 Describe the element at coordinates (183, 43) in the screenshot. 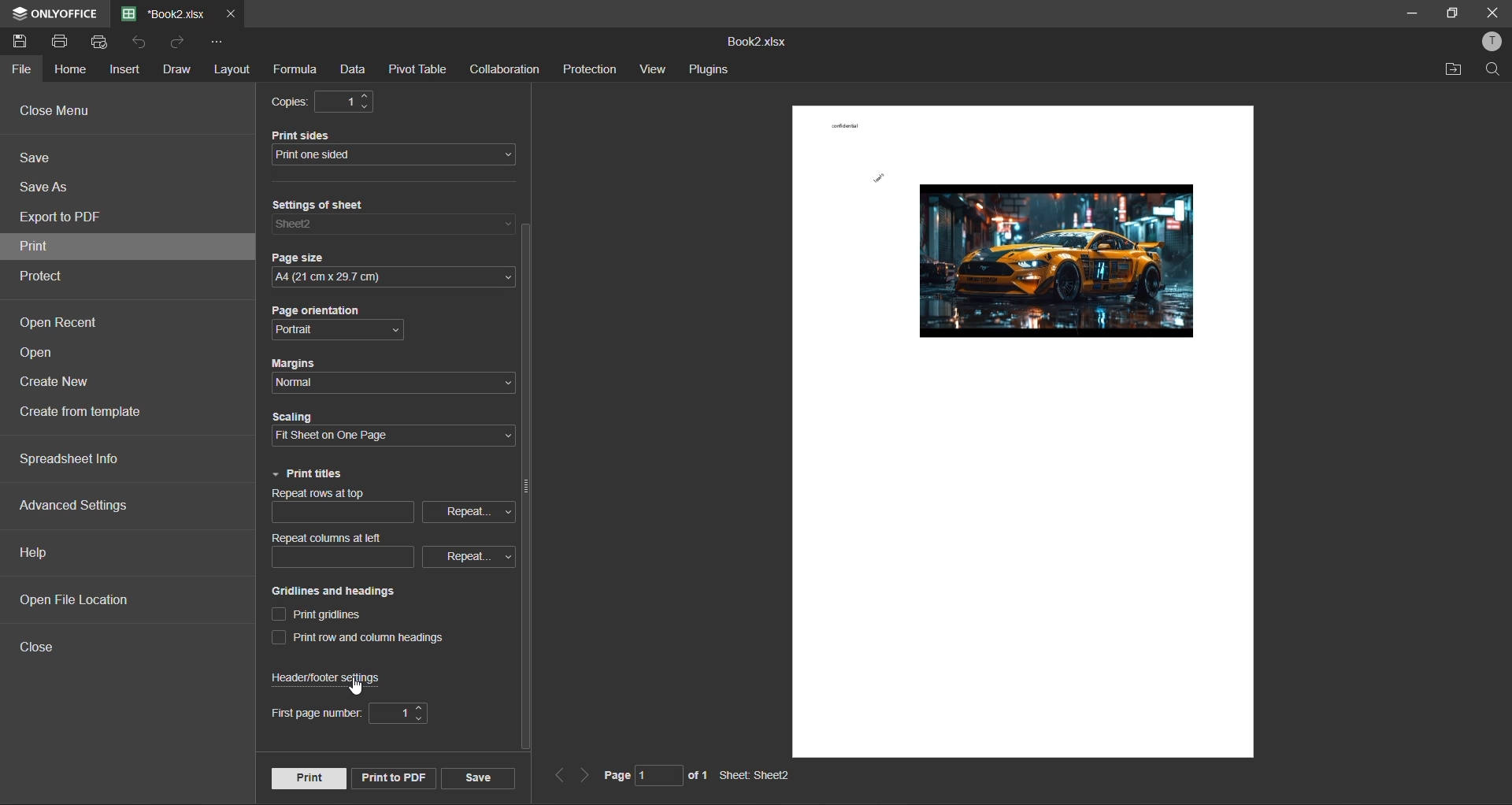

I see `redo` at that location.